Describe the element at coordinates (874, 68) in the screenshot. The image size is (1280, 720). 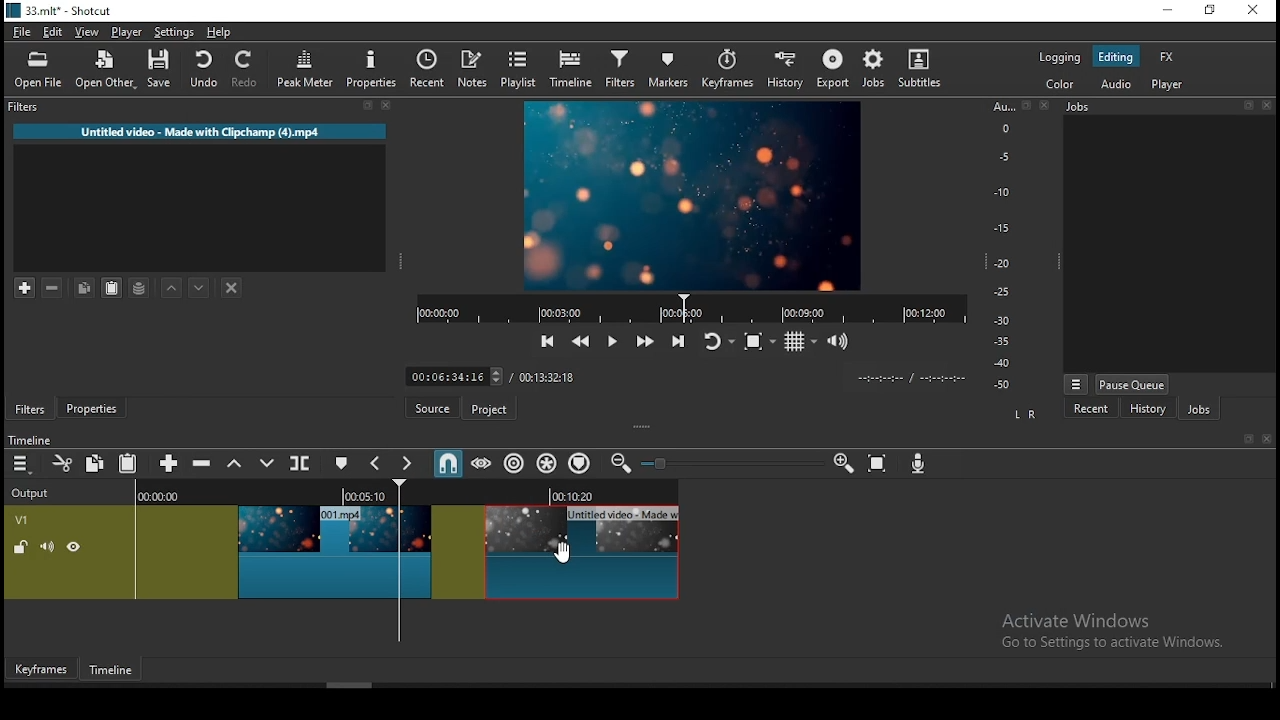
I see `jobs` at that location.